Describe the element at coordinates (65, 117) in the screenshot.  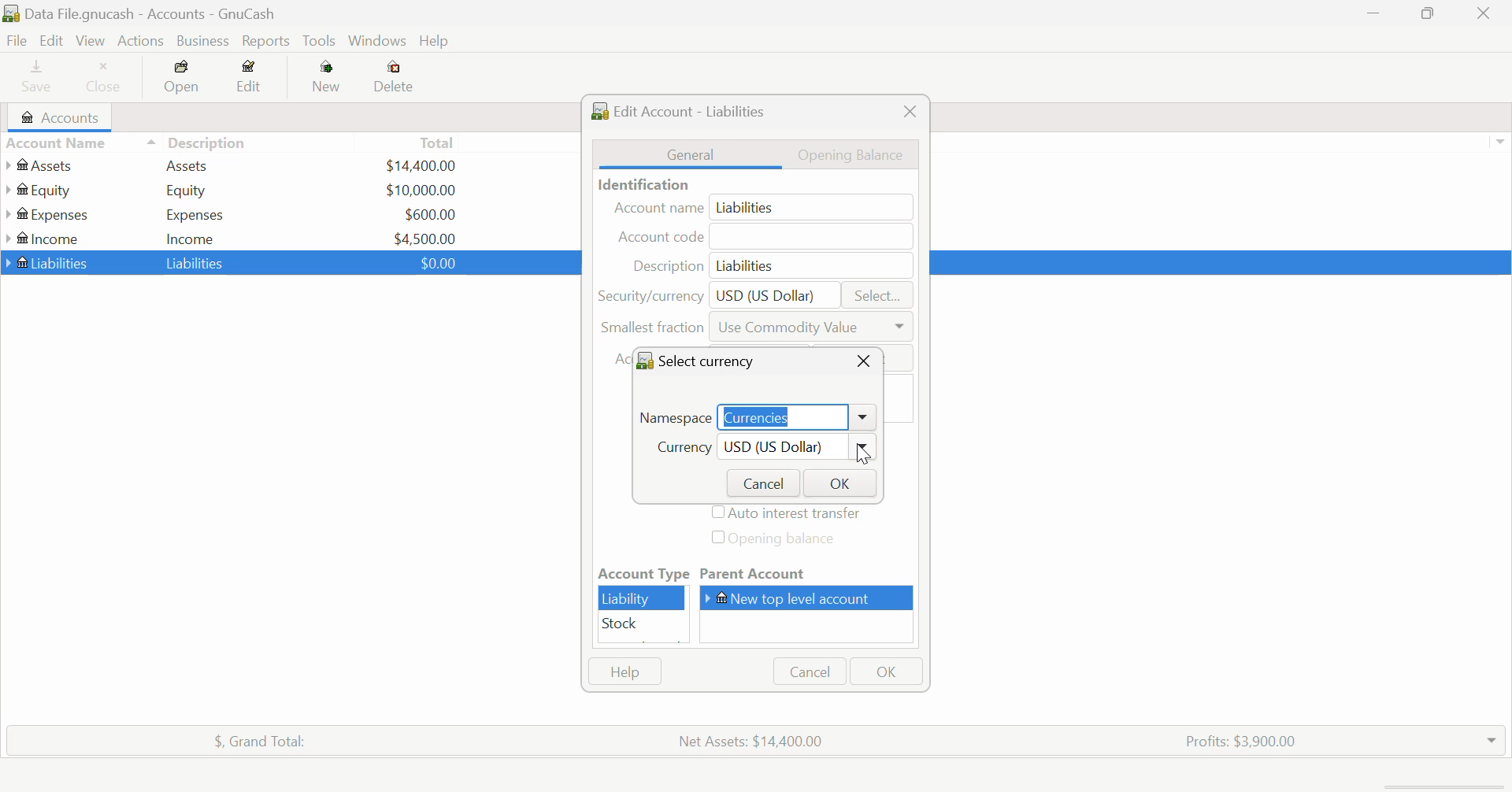
I see `Accounts Tab` at that location.